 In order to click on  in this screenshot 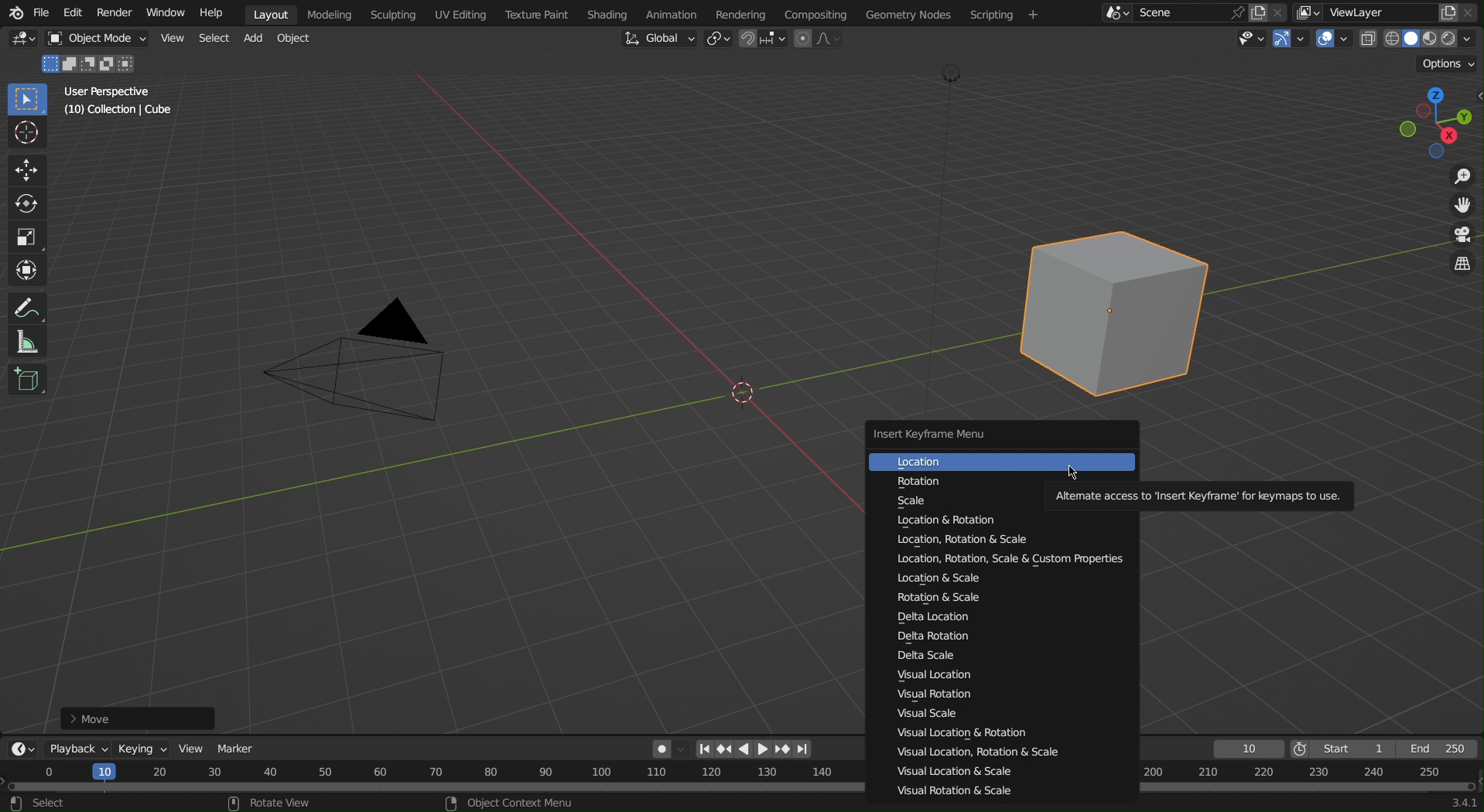, I will do `click(1007, 15)`.